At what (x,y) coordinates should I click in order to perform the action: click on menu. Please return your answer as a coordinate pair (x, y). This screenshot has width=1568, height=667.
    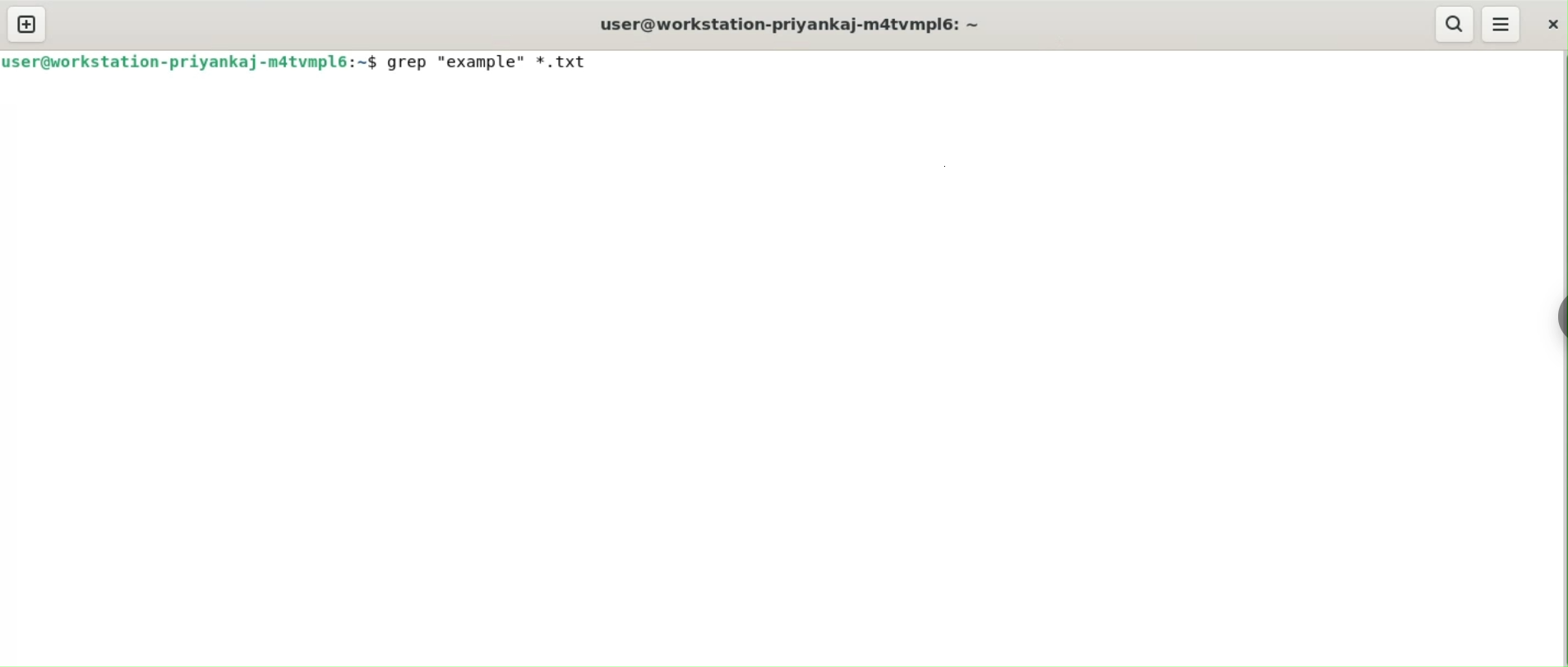
    Looking at the image, I should click on (1502, 25).